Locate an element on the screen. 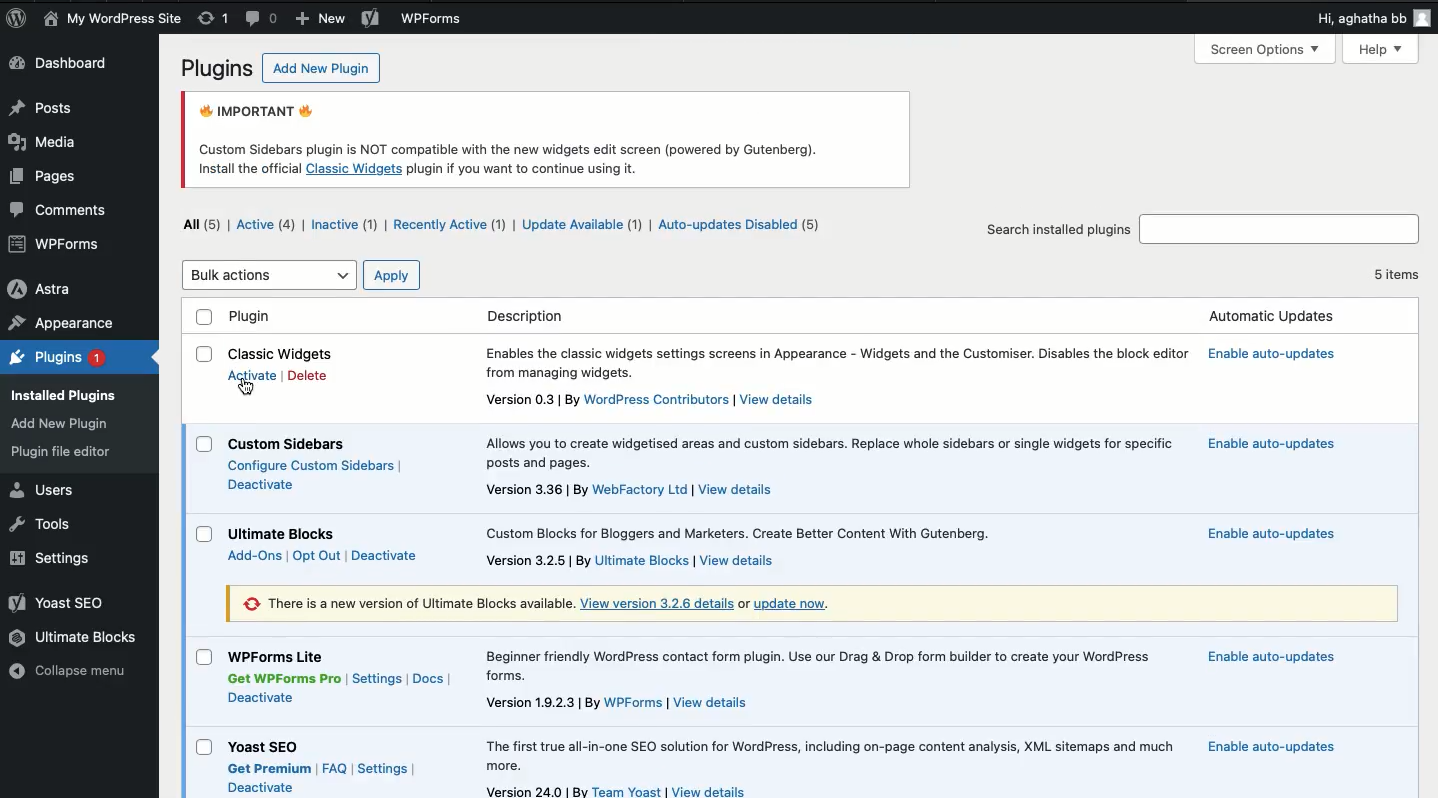 This screenshot has height=798, width=1438. Inactive is located at coordinates (342, 226).